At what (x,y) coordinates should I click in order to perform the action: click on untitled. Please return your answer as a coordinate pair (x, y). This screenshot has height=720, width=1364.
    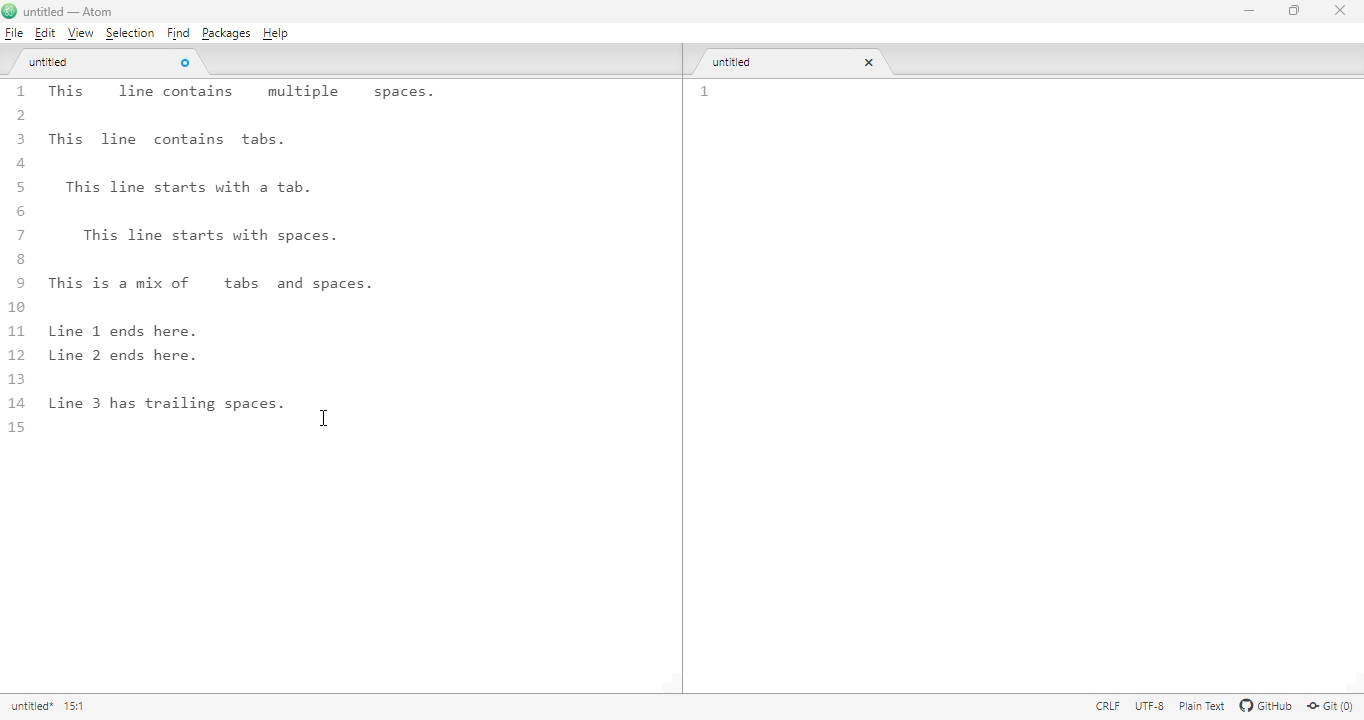
    Looking at the image, I should click on (31, 706).